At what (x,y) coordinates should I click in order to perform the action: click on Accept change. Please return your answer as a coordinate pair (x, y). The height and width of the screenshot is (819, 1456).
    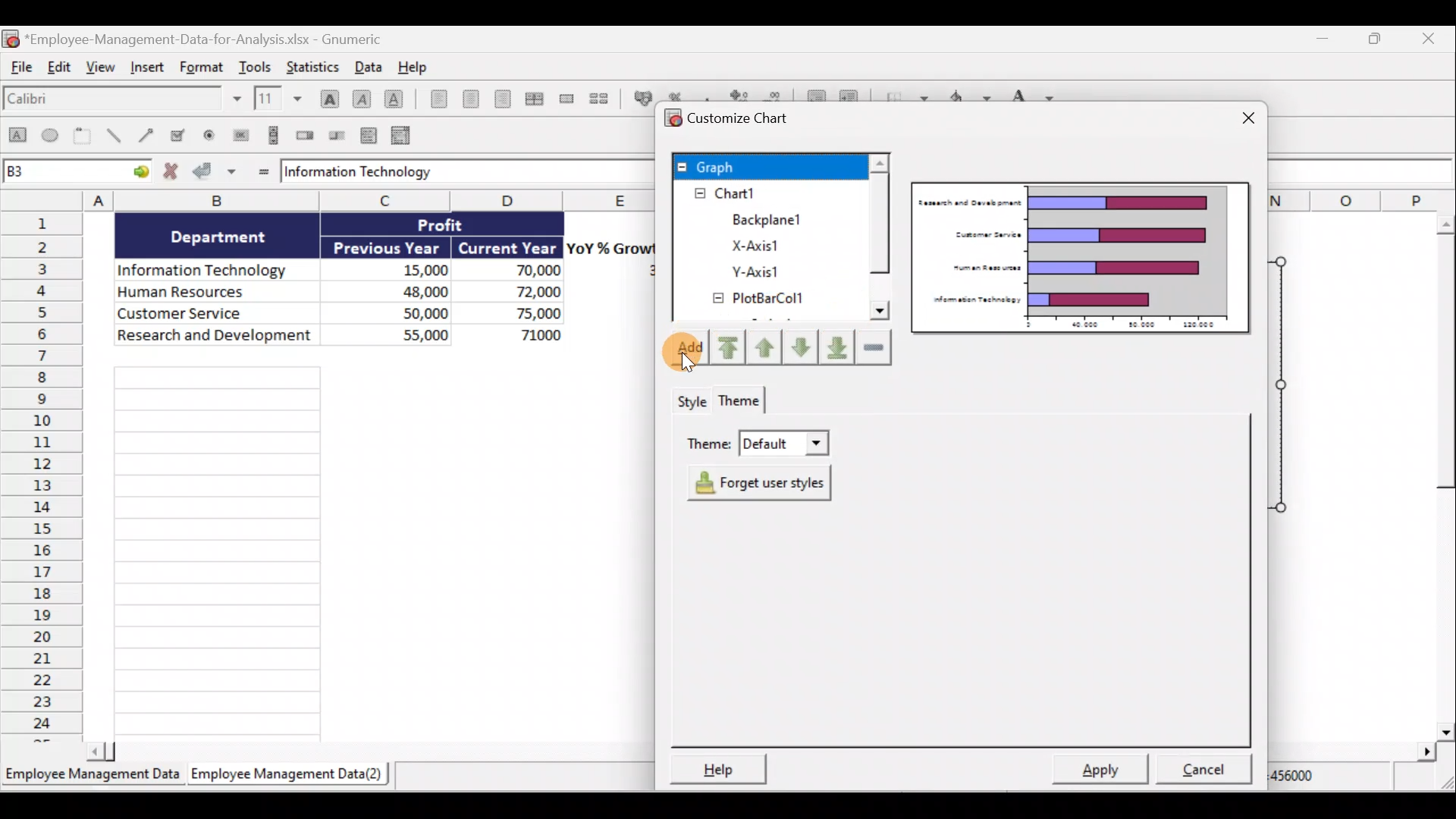
    Looking at the image, I should click on (214, 171).